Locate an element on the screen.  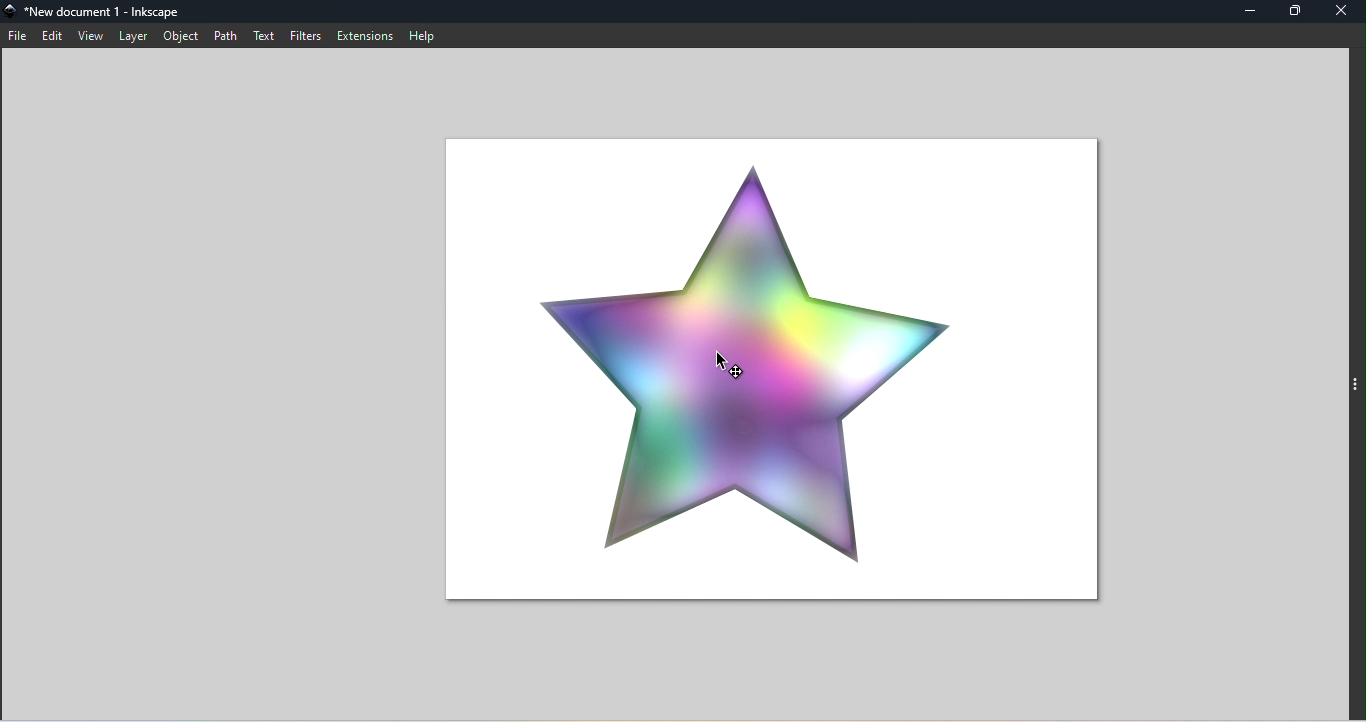
File name is located at coordinates (96, 12).